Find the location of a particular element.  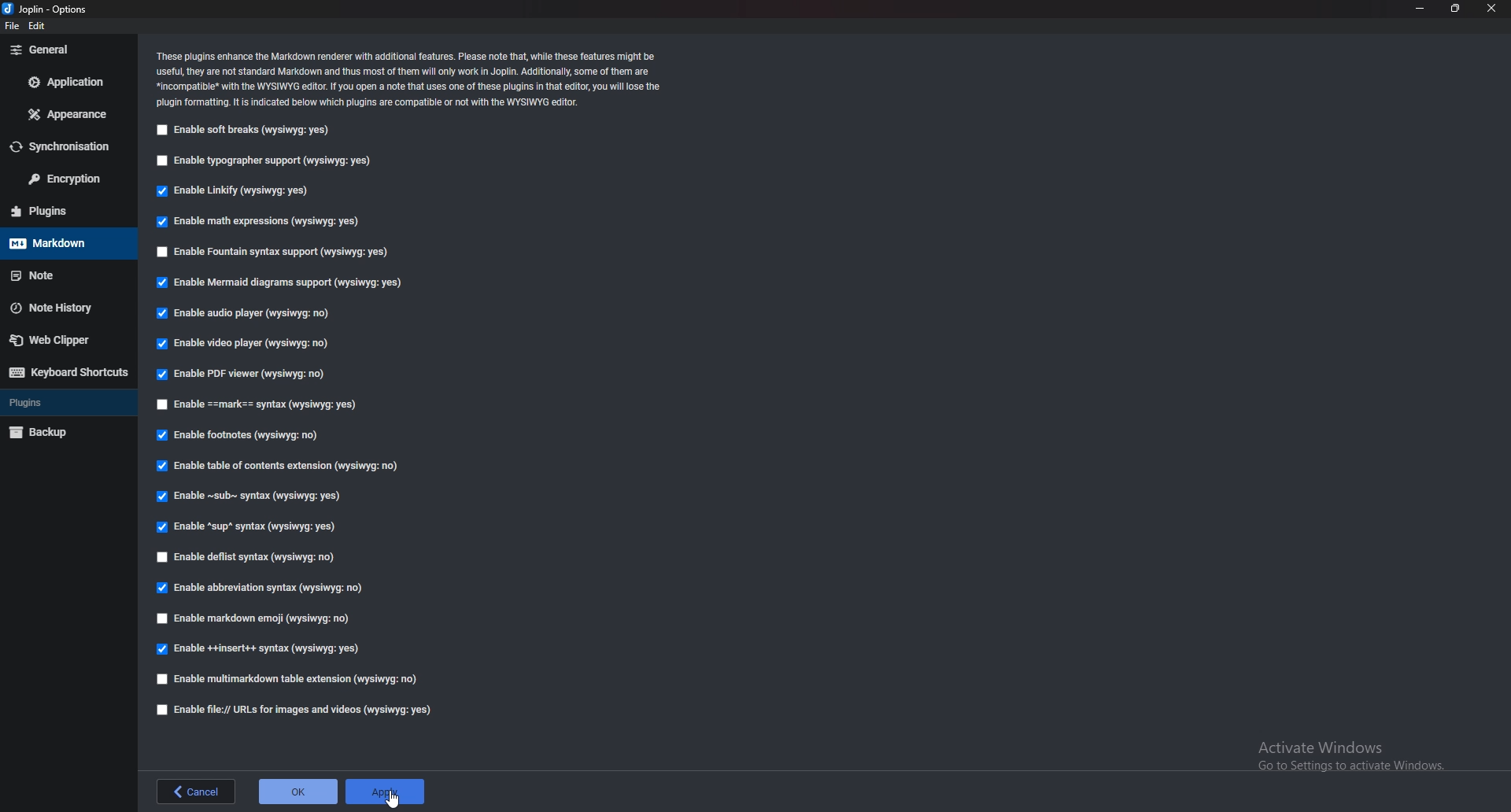

Enable markdown emoji is located at coordinates (257, 620).